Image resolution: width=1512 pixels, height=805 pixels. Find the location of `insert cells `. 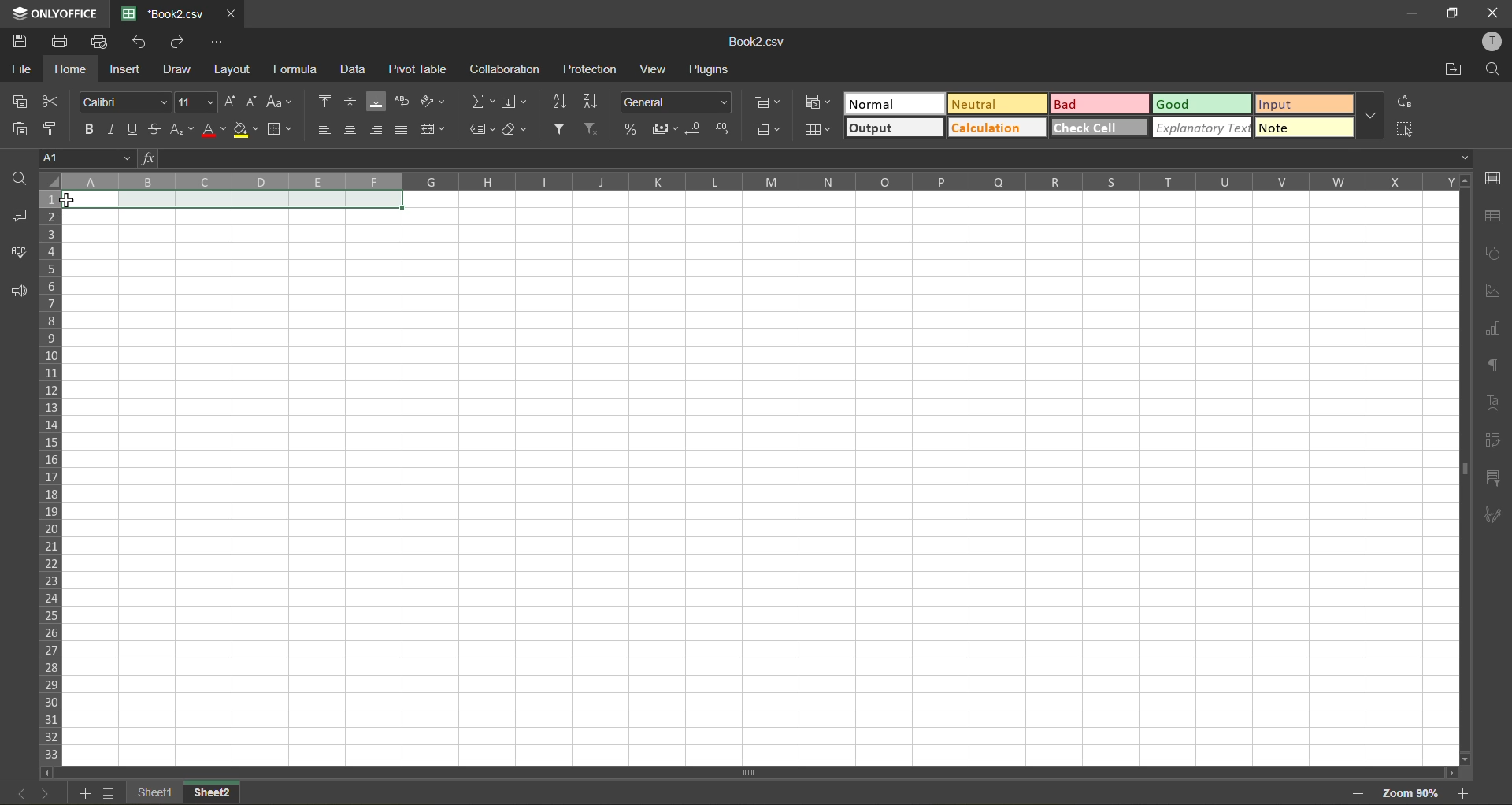

insert cells  is located at coordinates (769, 102).